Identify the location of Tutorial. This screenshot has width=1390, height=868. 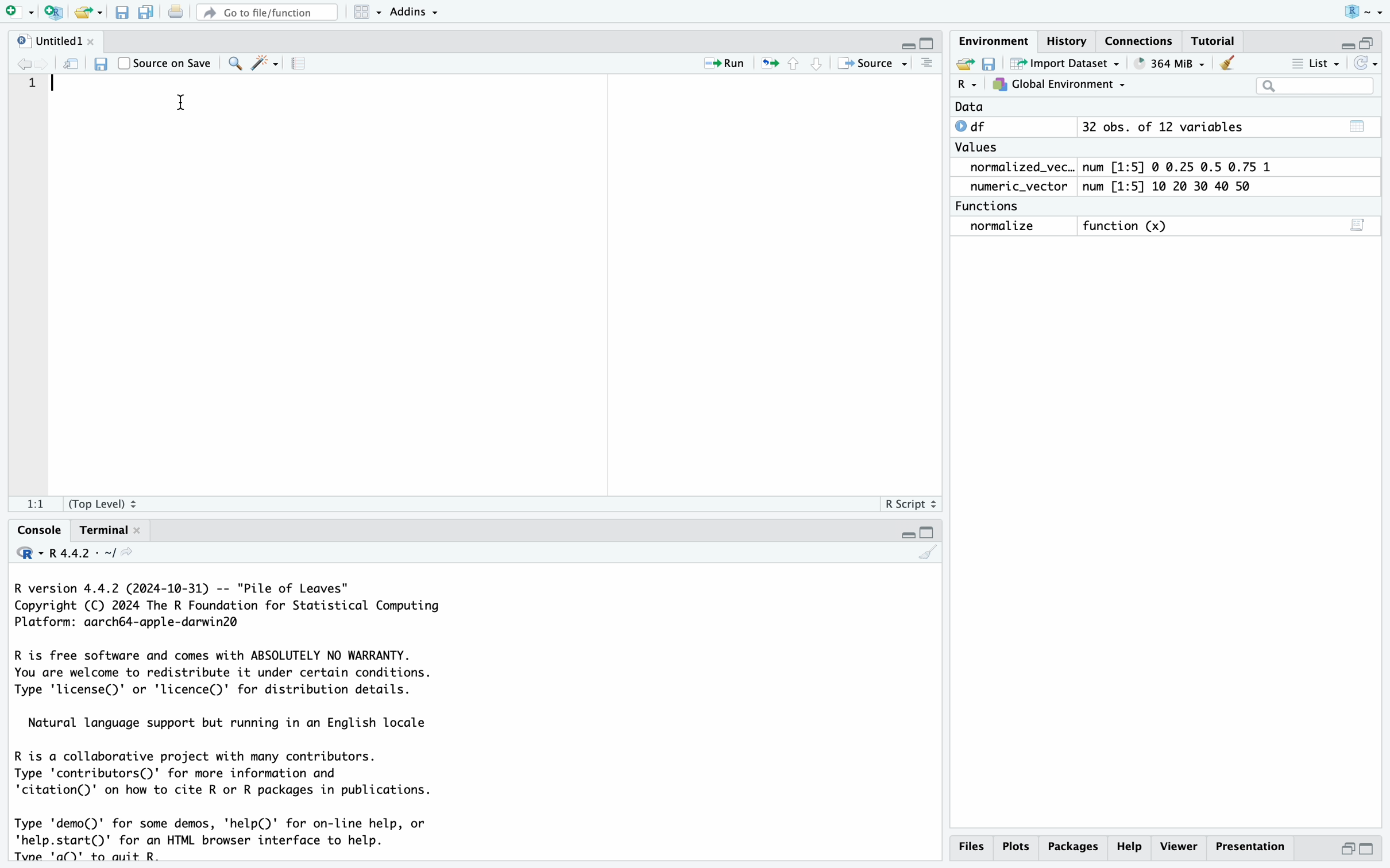
(1213, 42).